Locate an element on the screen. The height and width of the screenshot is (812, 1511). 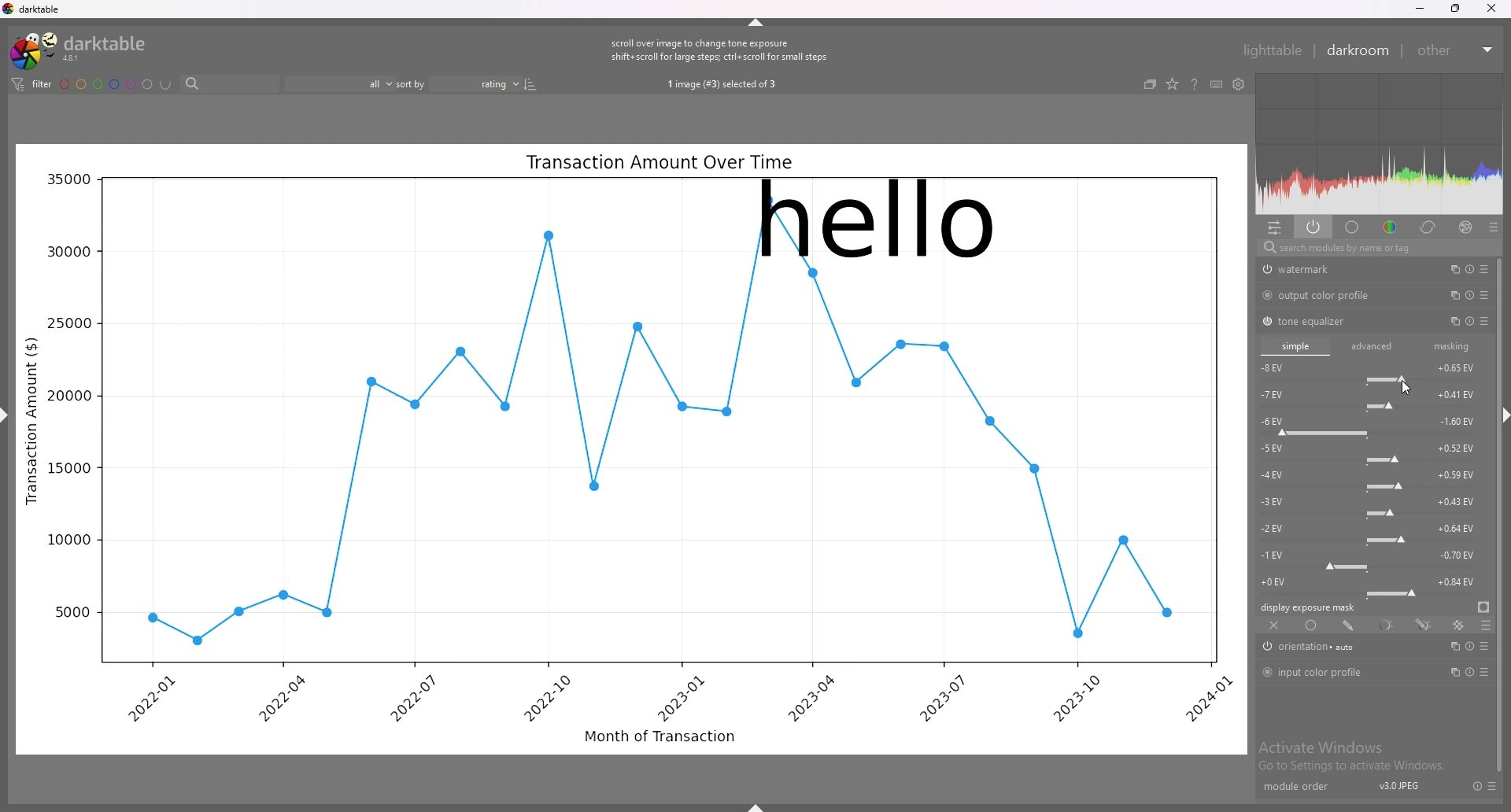
heat map is located at coordinates (1380, 143).